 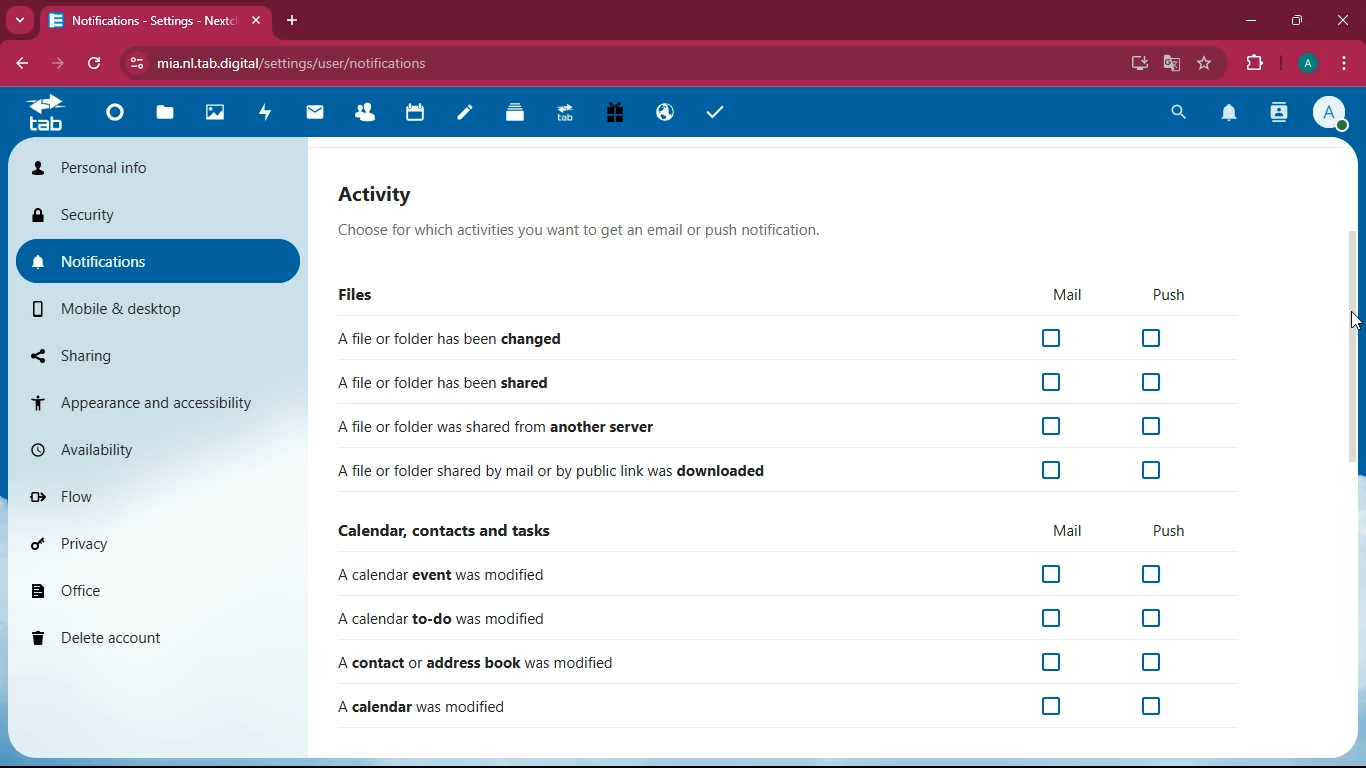 What do you see at coordinates (1349, 343) in the screenshot?
I see `scroll bar` at bounding box center [1349, 343].